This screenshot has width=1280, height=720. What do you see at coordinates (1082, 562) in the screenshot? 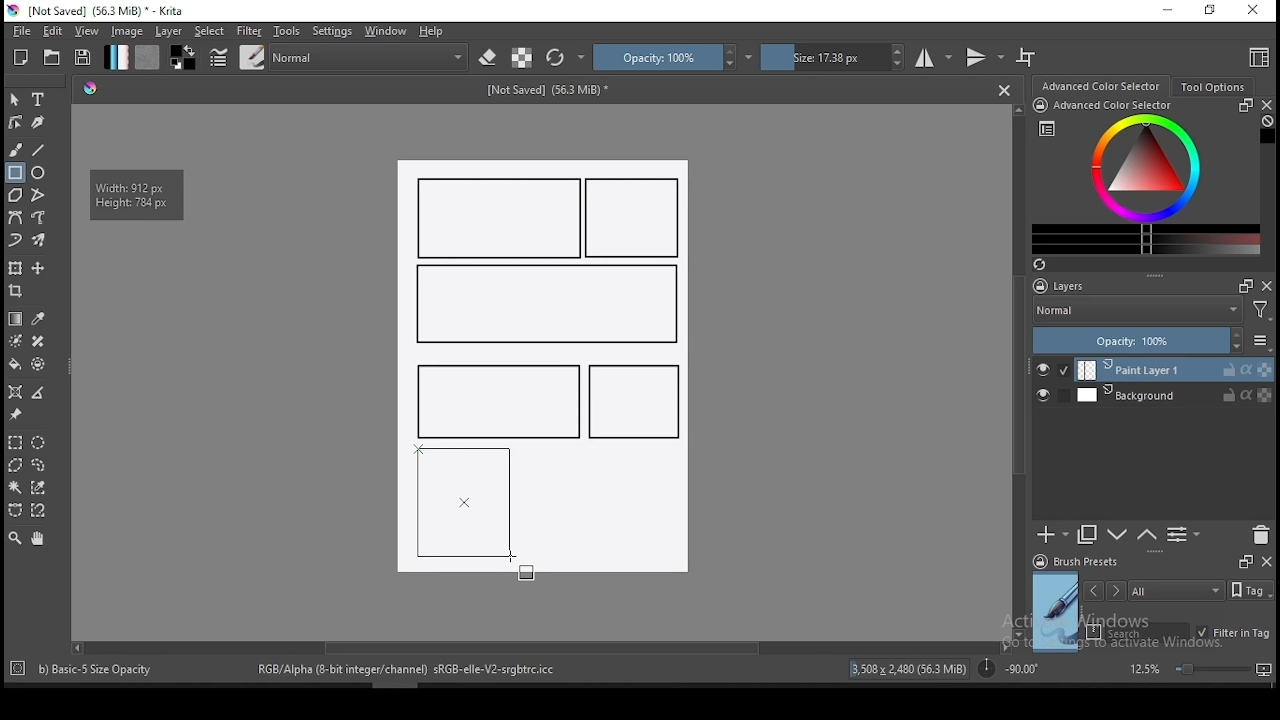
I see `brush presets` at bounding box center [1082, 562].